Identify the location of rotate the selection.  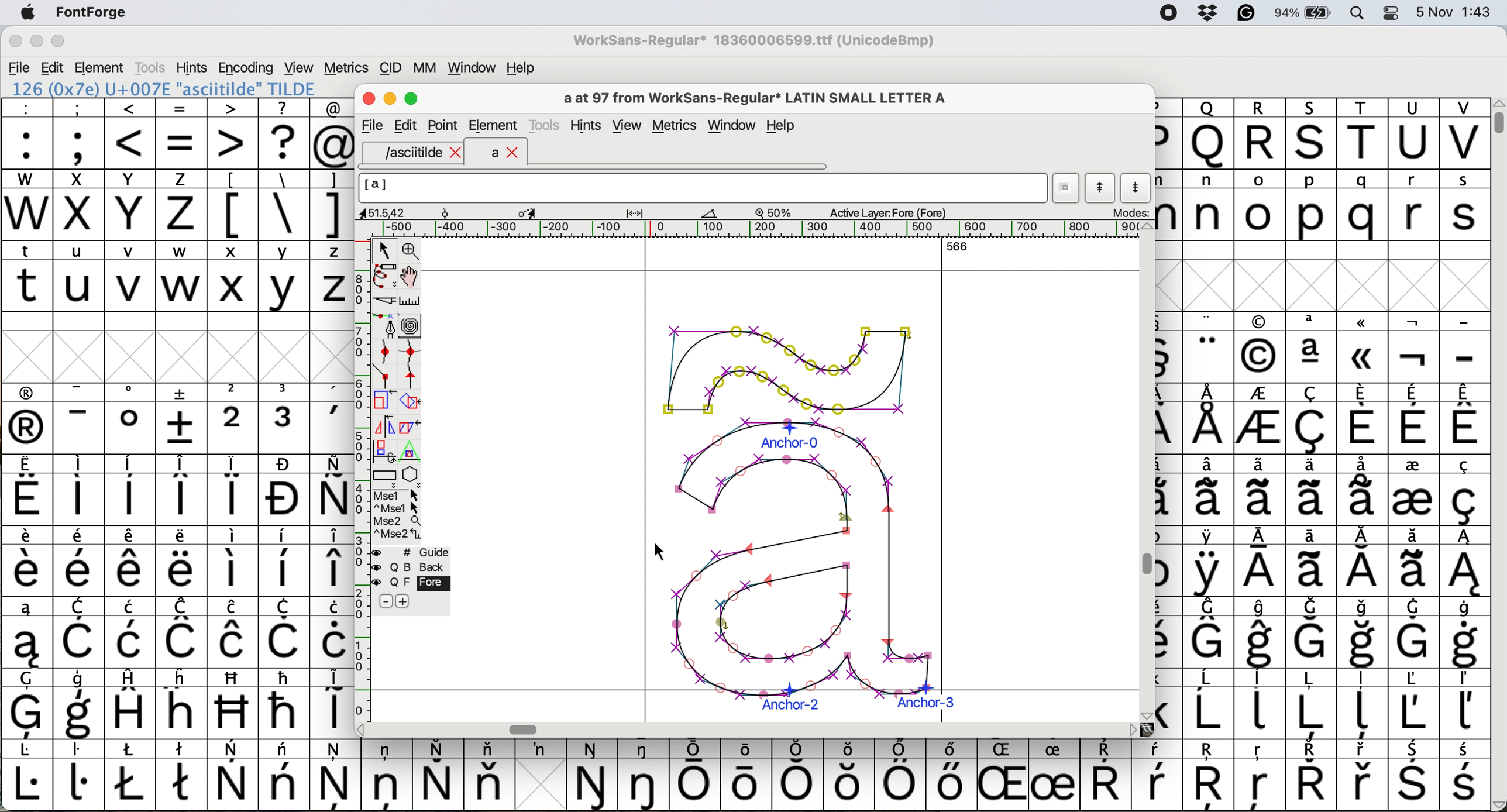
(416, 402).